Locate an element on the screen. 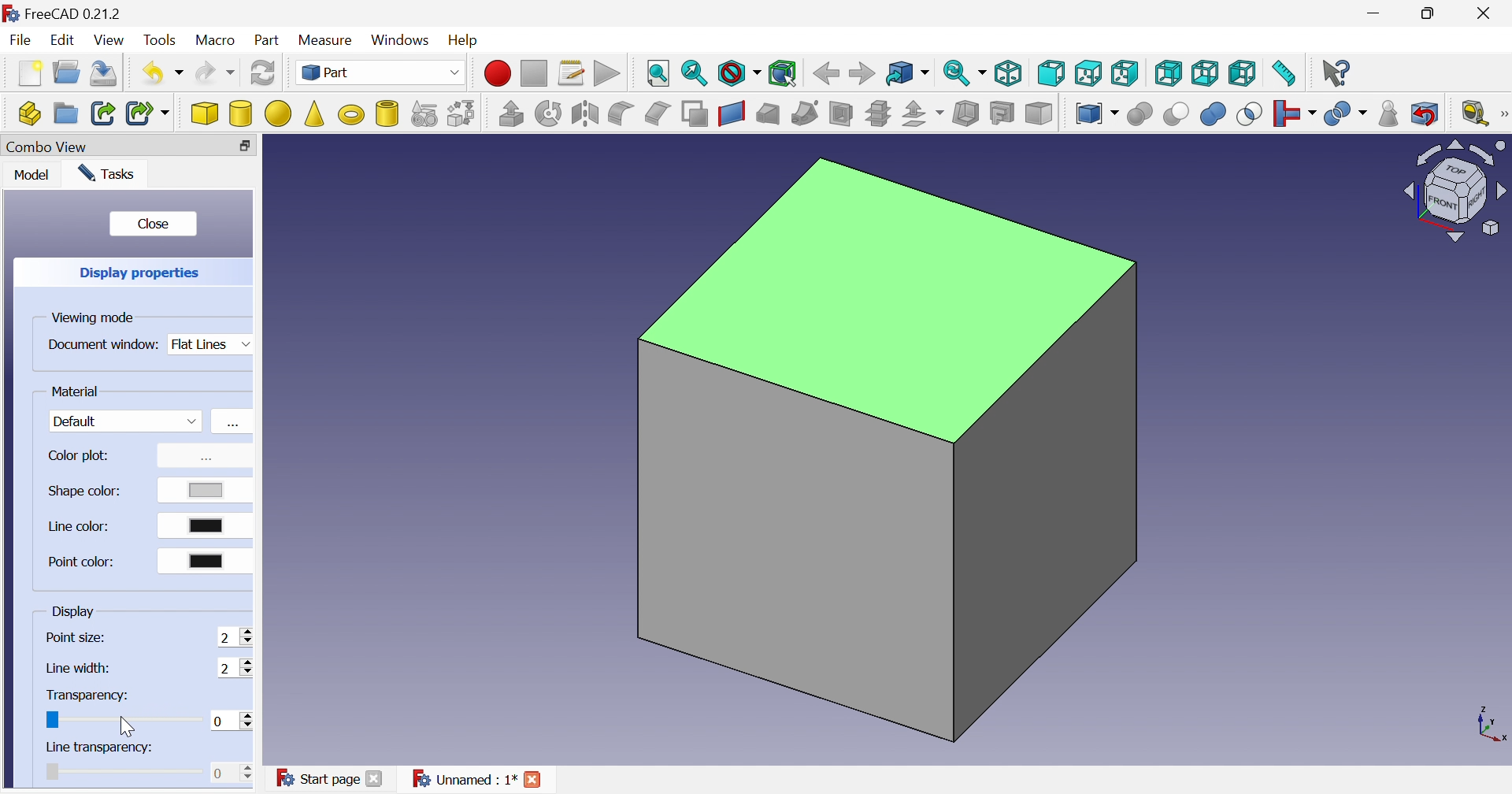 The height and width of the screenshot is (794, 1512). Slider is located at coordinates (53, 770).